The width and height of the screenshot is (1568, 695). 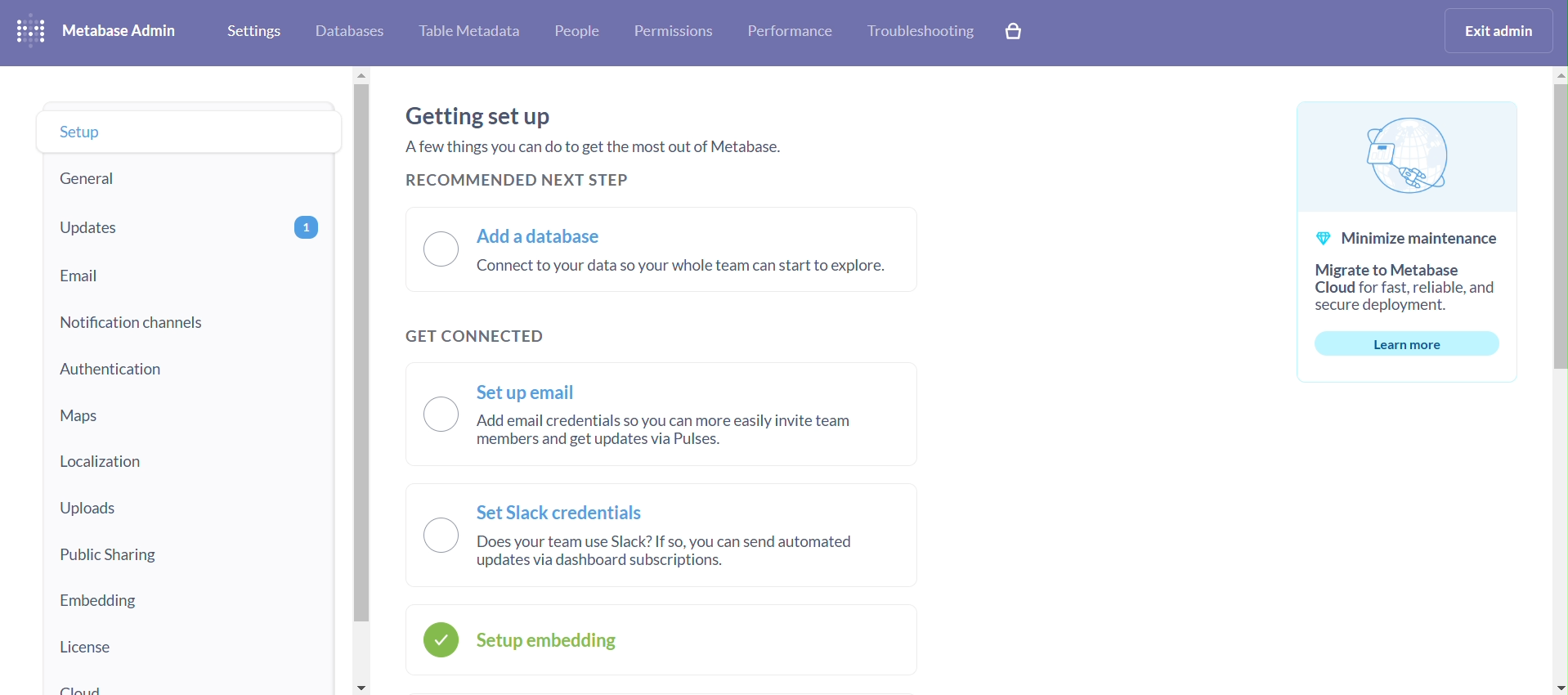 What do you see at coordinates (925, 34) in the screenshot?
I see `troubleshooting` at bounding box center [925, 34].